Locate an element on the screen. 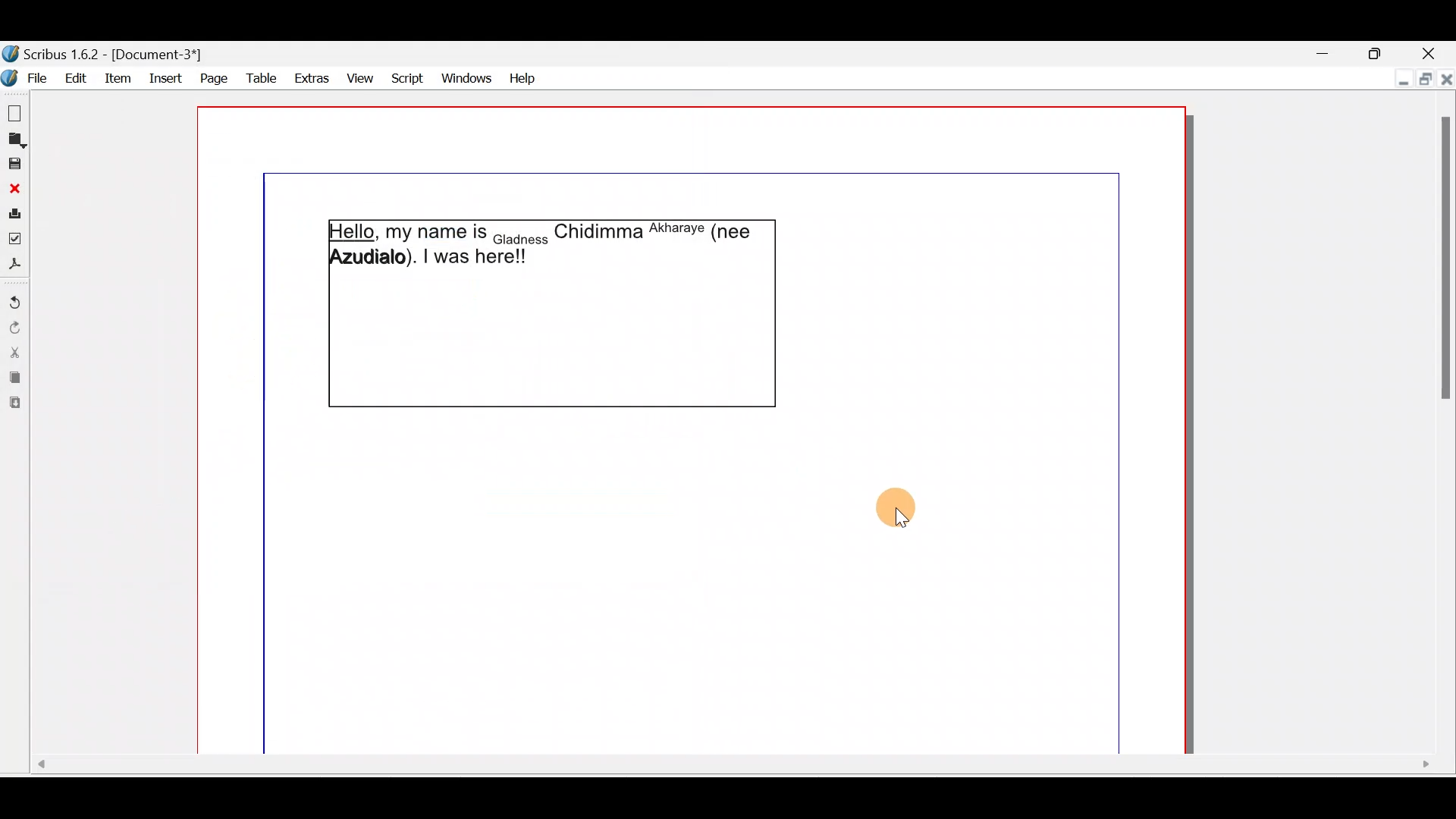 The height and width of the screenshot is (819, 1456). Text frame is located at coordinates (552, 342).